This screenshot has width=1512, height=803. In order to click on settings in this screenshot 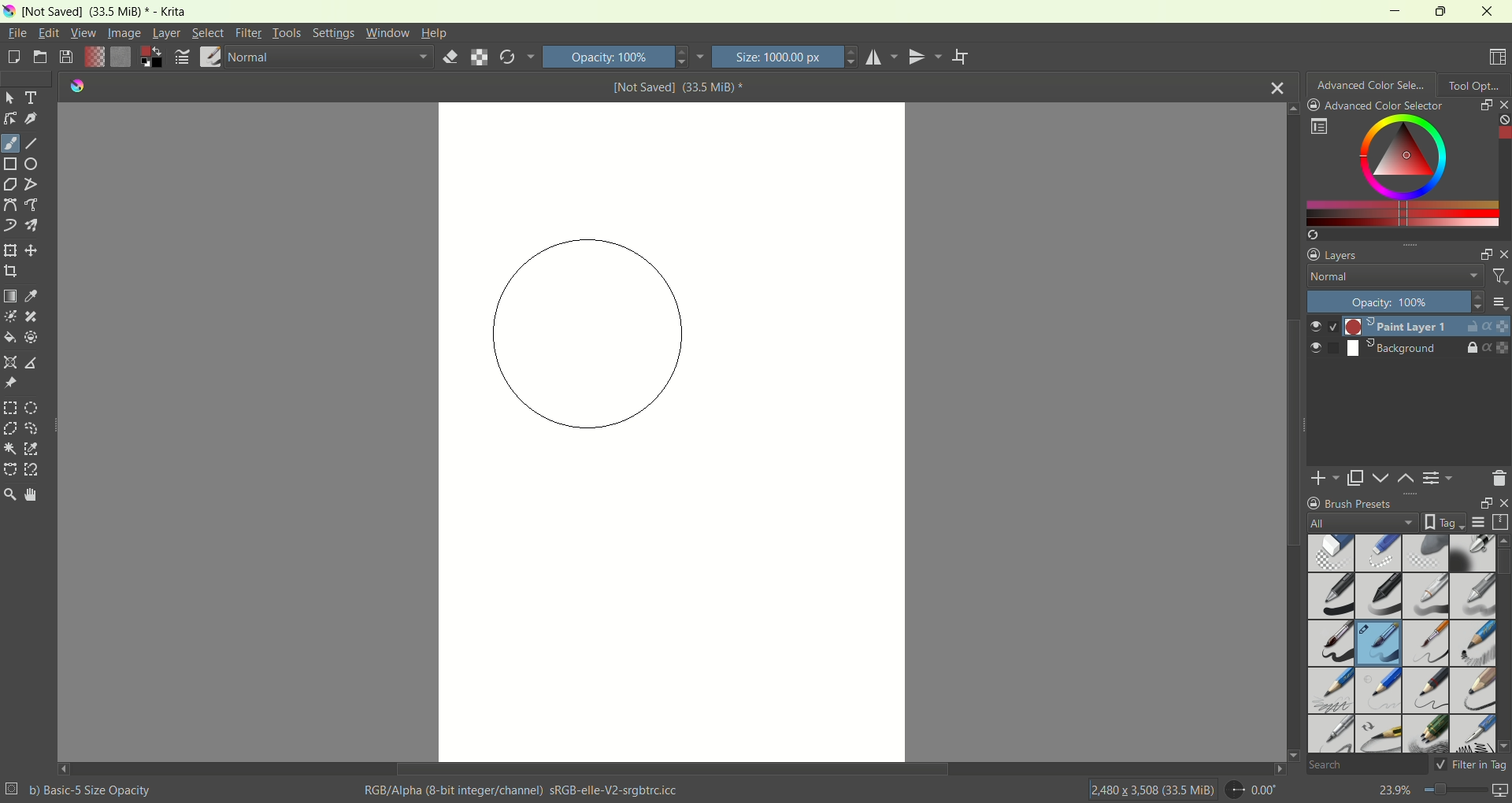, I will do `click(332, 33)`.